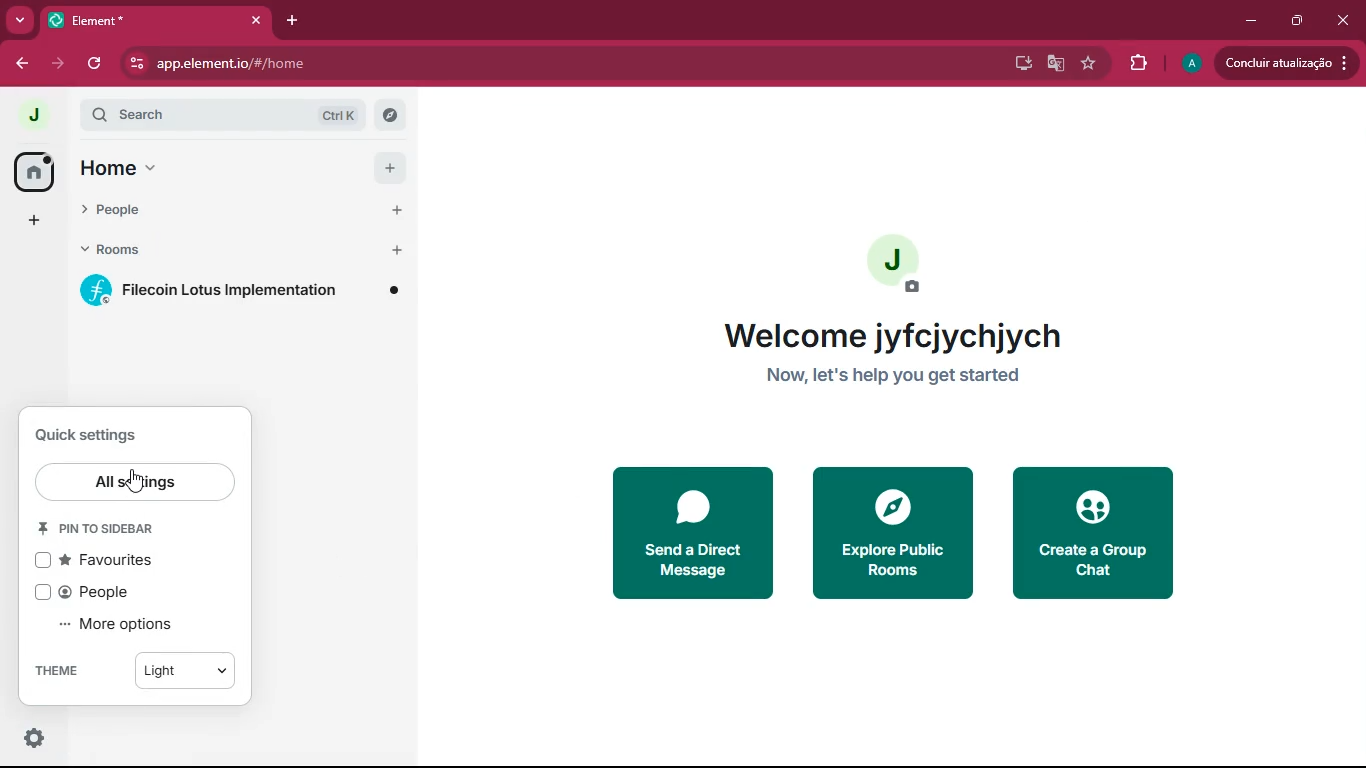  What do you see at coordinates (1251, 21) in the screenshot?
I see `minimize` at bounding box center [1251, 21].